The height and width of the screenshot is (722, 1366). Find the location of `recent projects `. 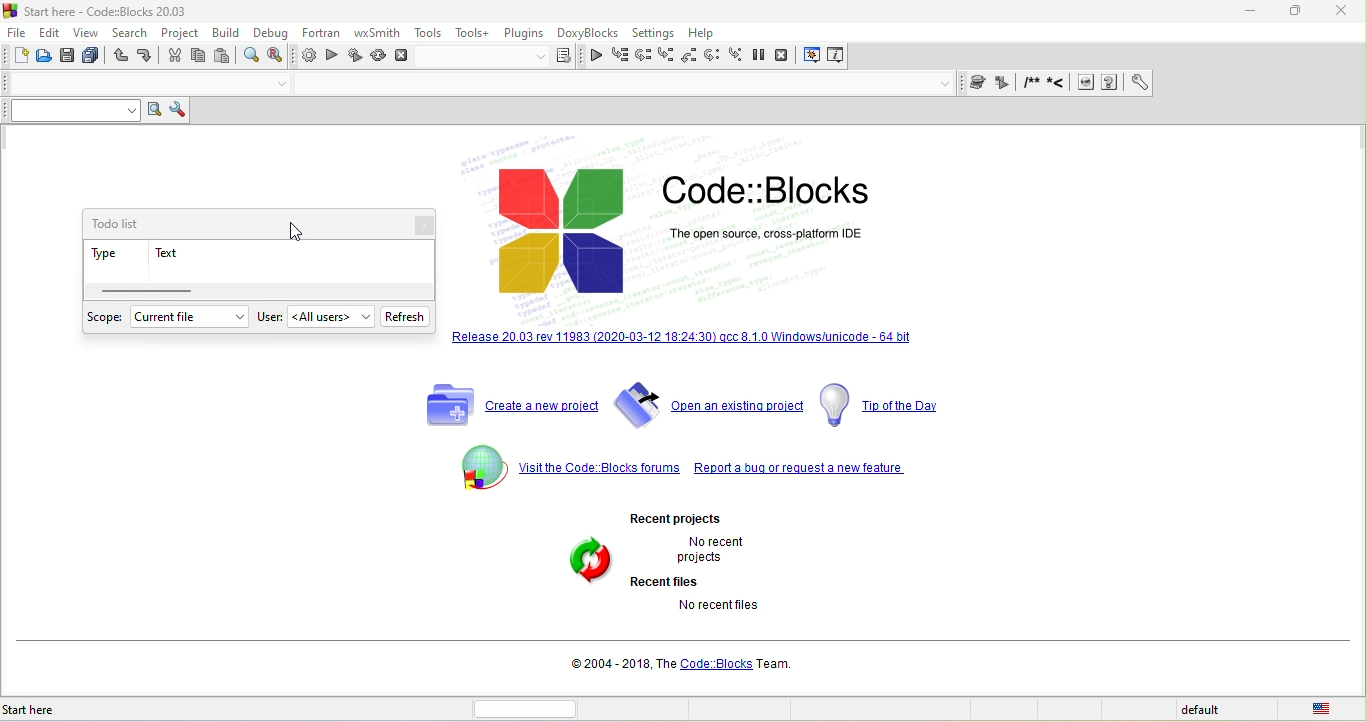

recent projects  is located at coordinates (700, 515).